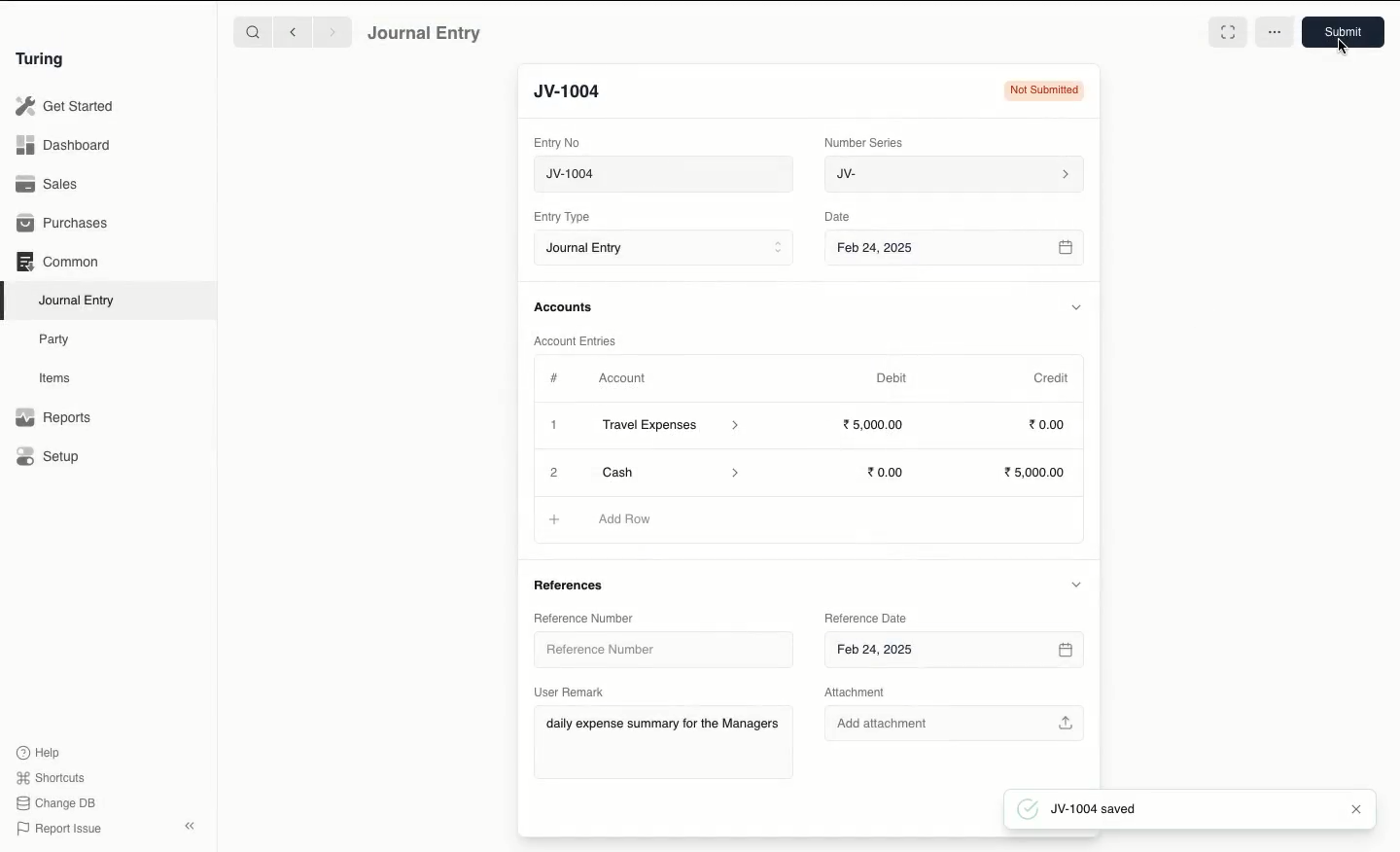 The width and height of the screenshot is (1400, 852). I want to click on Get Started, so click(66, 107).